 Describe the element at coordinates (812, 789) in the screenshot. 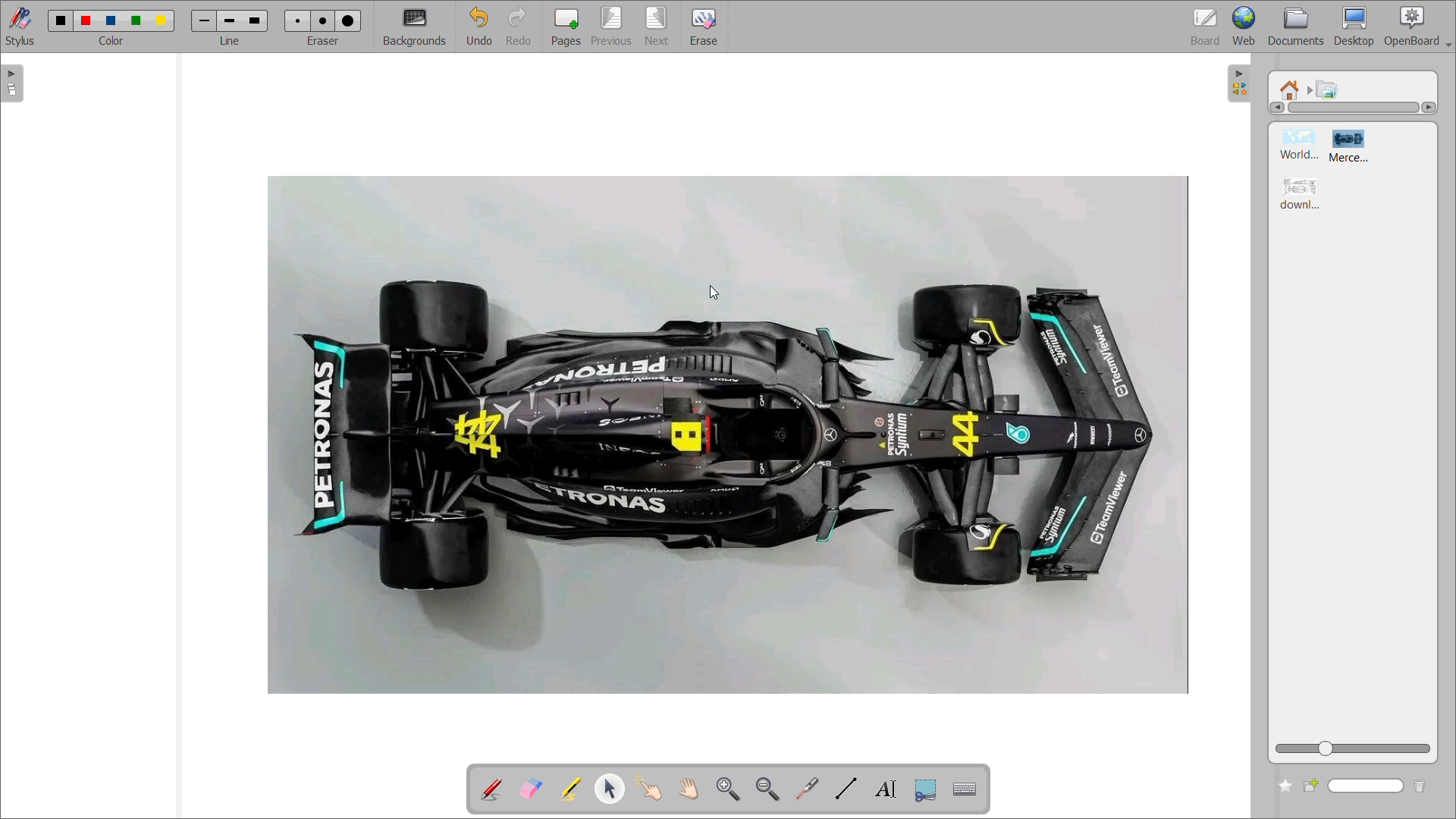

I see `virtual laser pointer` at that location.